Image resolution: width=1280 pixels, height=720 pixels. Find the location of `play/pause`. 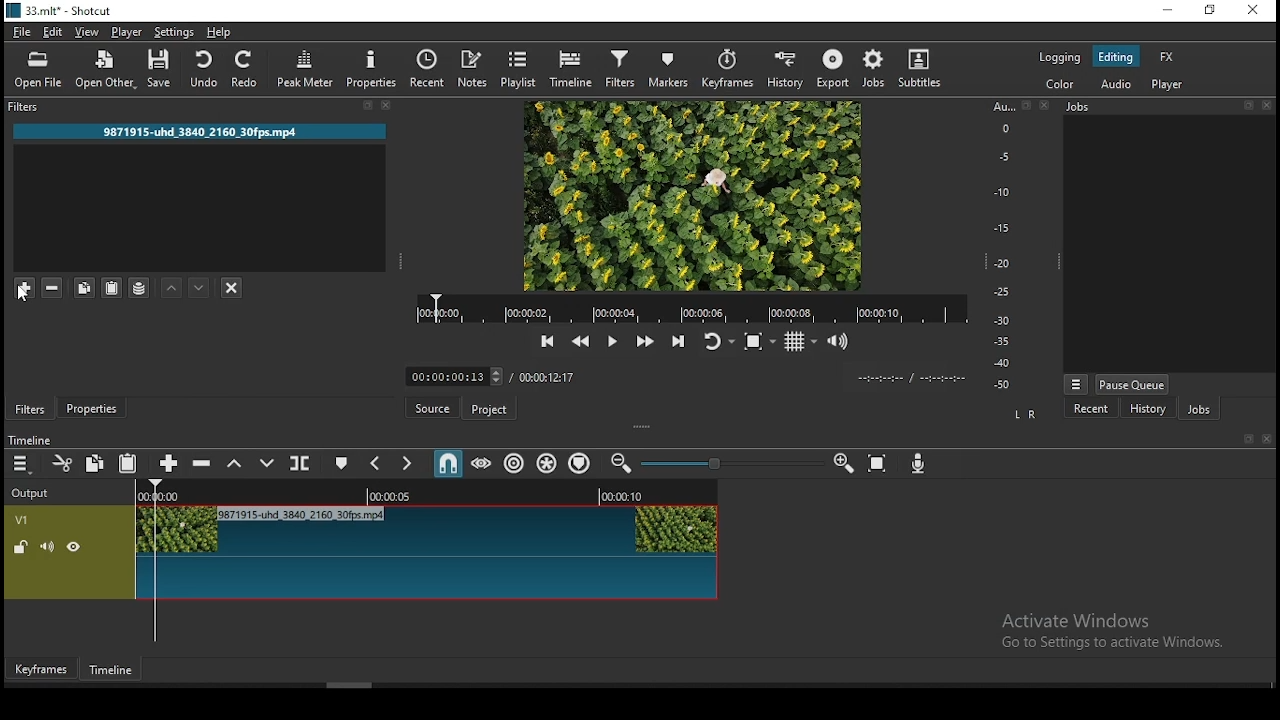

play/pause is located at coordinates (612, 341).